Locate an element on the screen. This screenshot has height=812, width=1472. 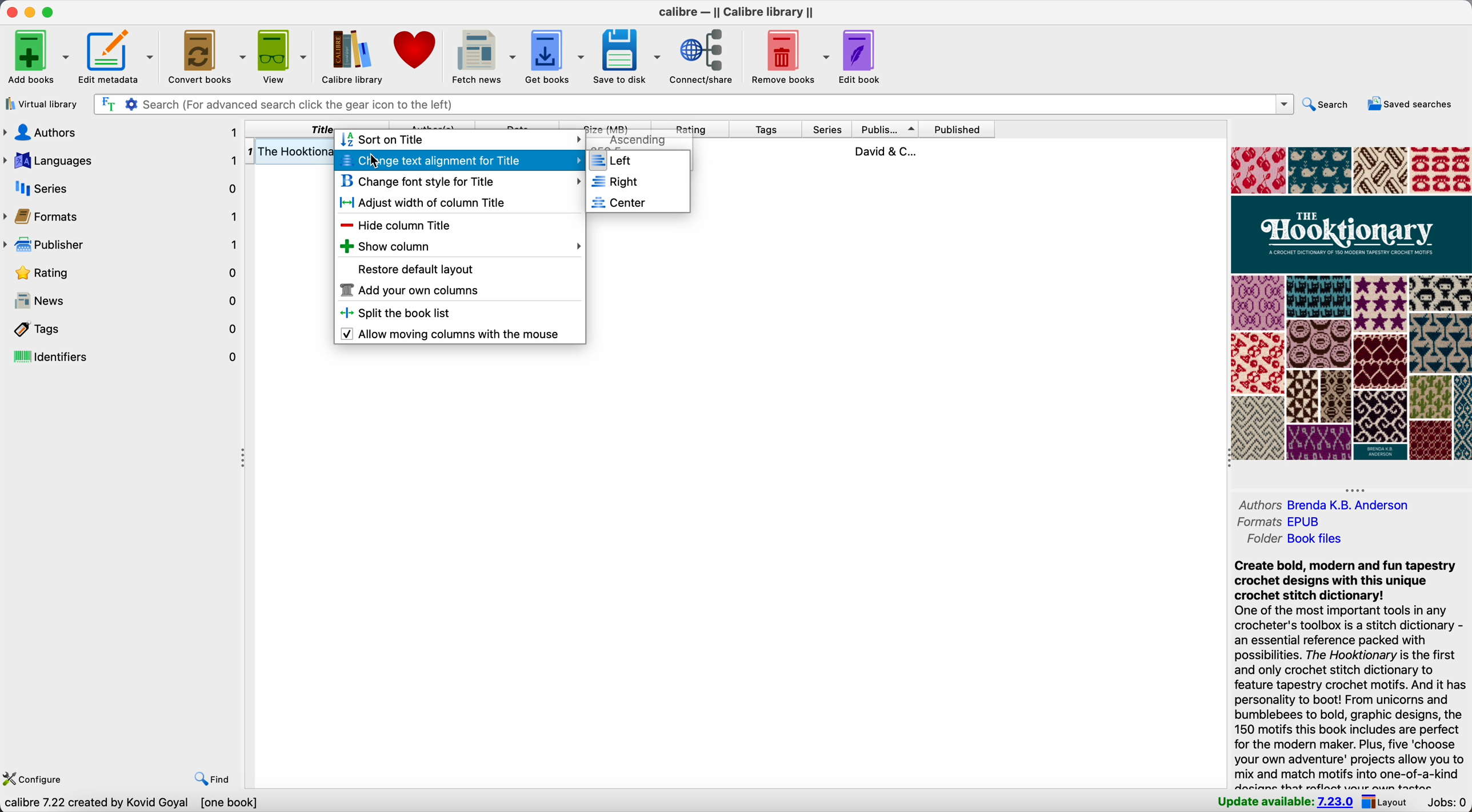
add your own columns is located at coordinates (410, 290).